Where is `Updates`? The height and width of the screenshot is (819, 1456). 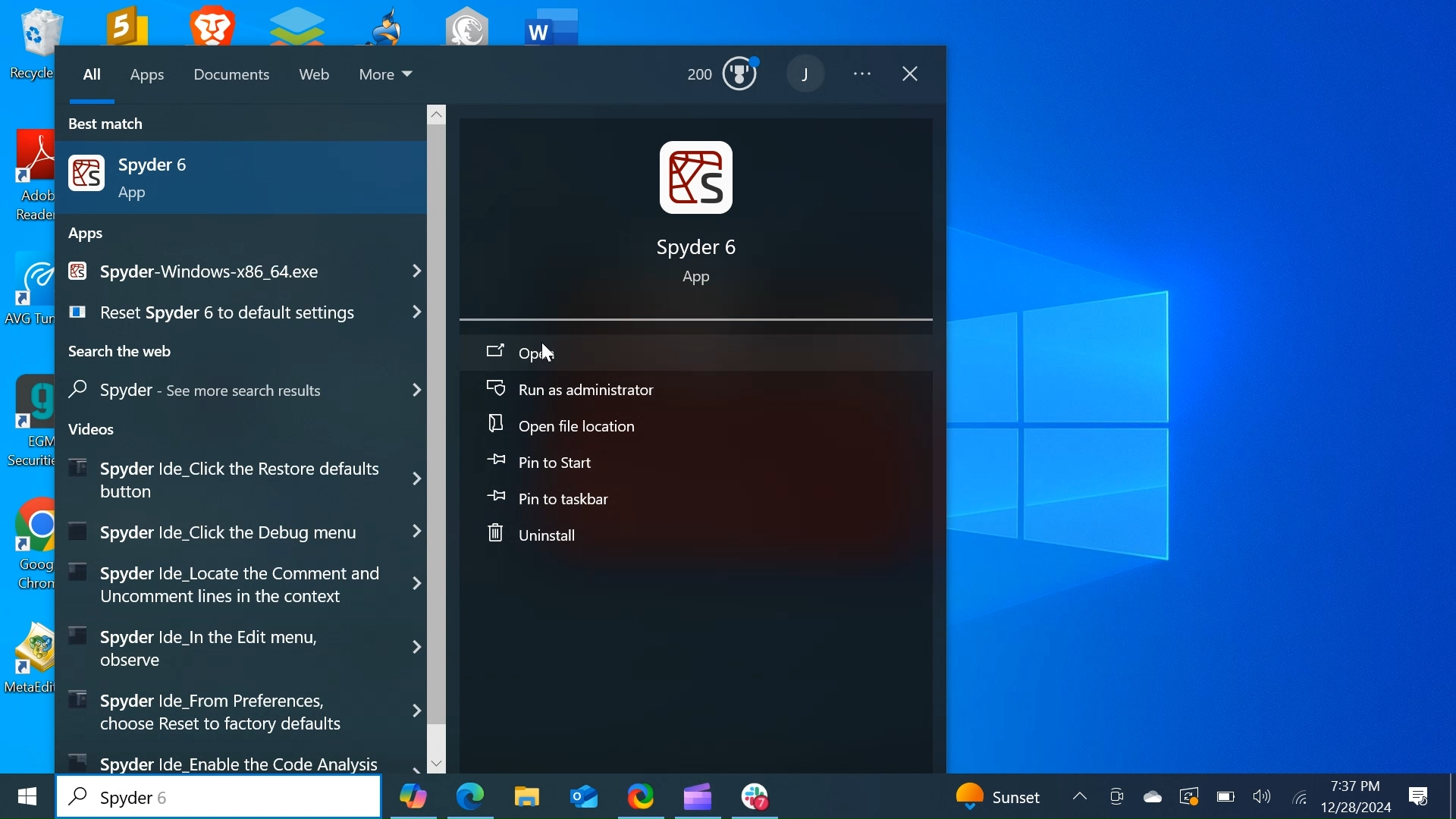
Updates is located at coordinates (1007, 795).